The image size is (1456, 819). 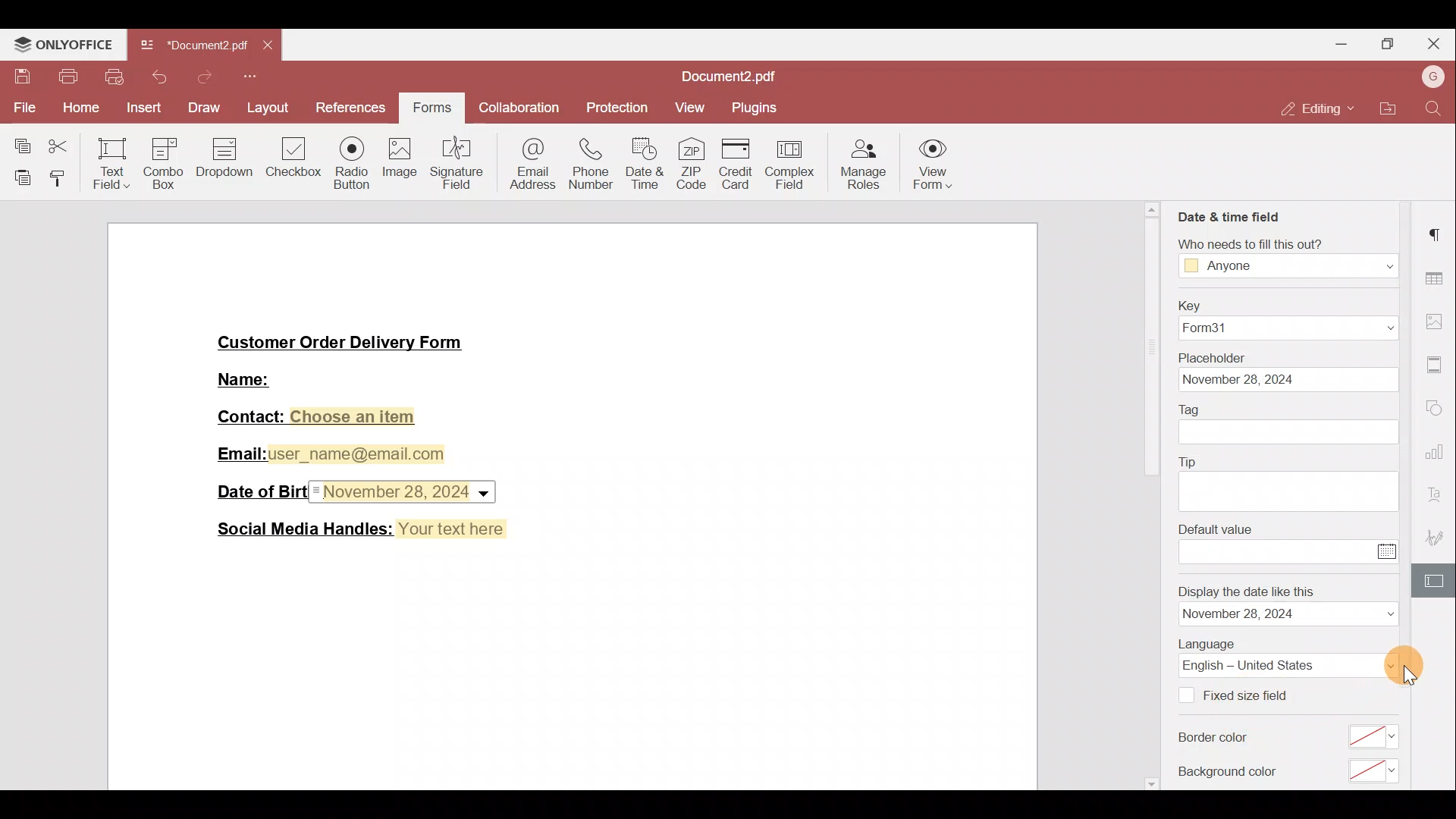 I want to click on Email:user_name@email.com, so click(x=327, y=454).